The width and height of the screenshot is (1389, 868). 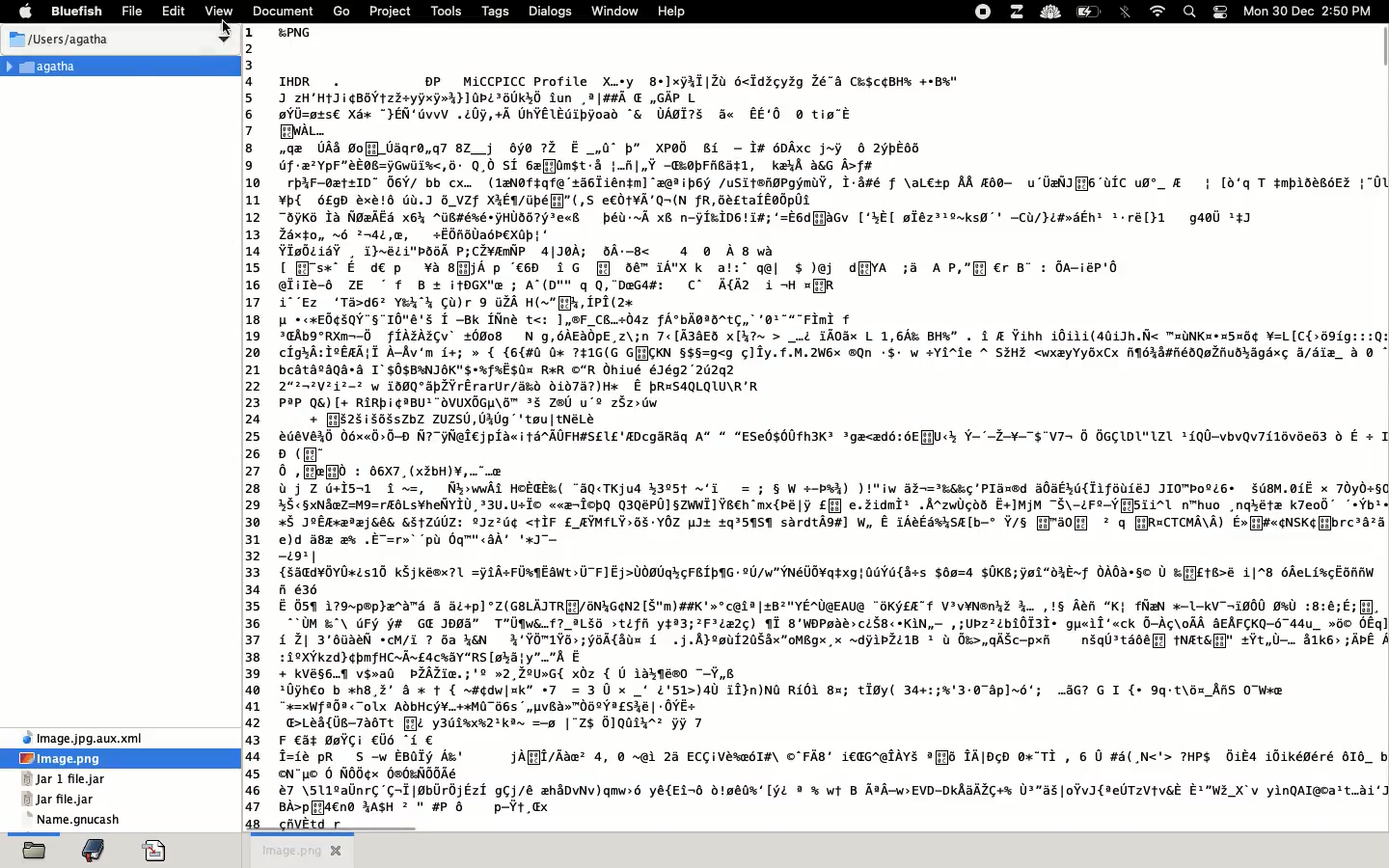 I want to click on project, so click(x=390, y=12).